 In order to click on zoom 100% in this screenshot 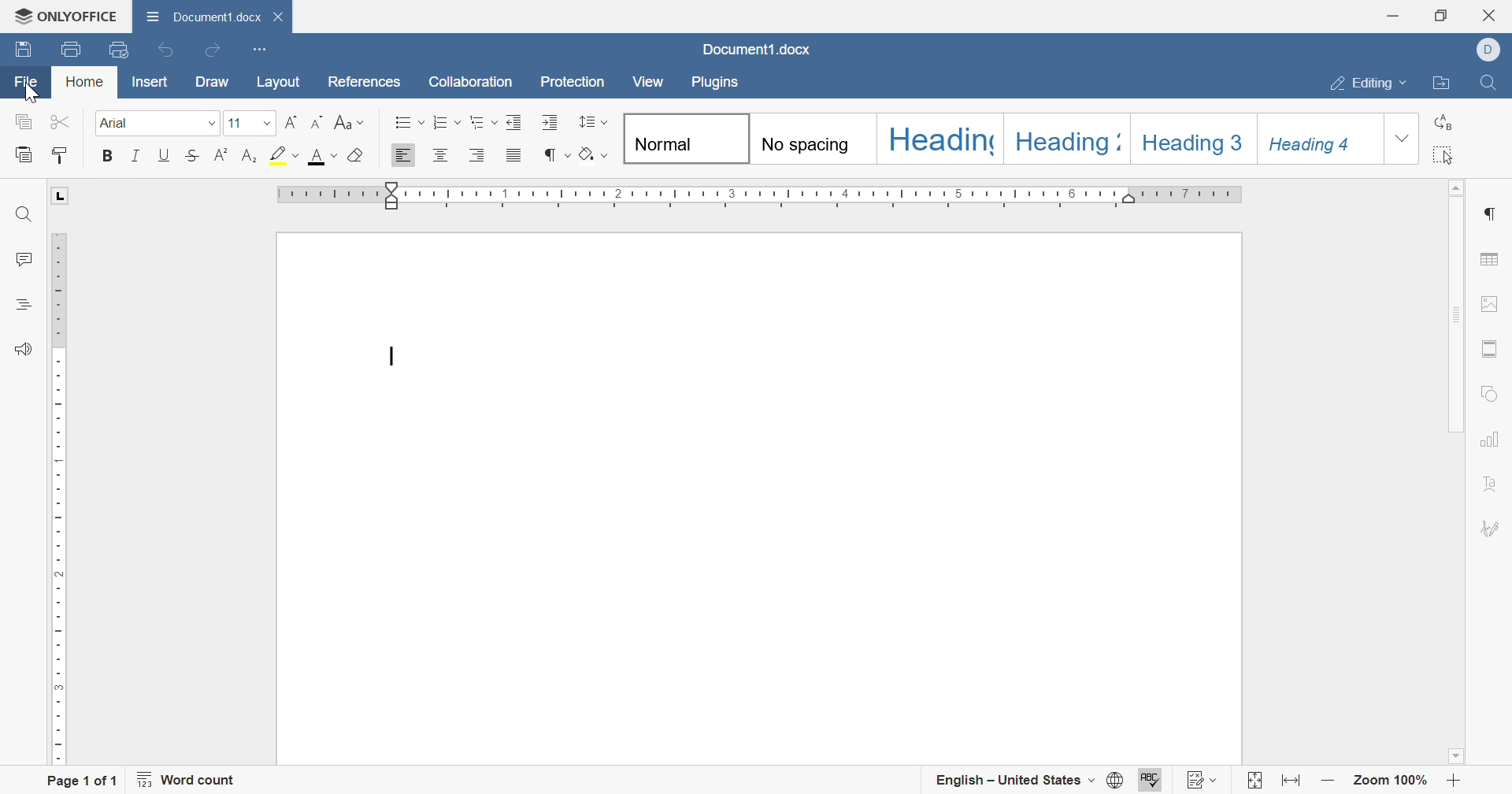, I will do `click(1389, 782)`.